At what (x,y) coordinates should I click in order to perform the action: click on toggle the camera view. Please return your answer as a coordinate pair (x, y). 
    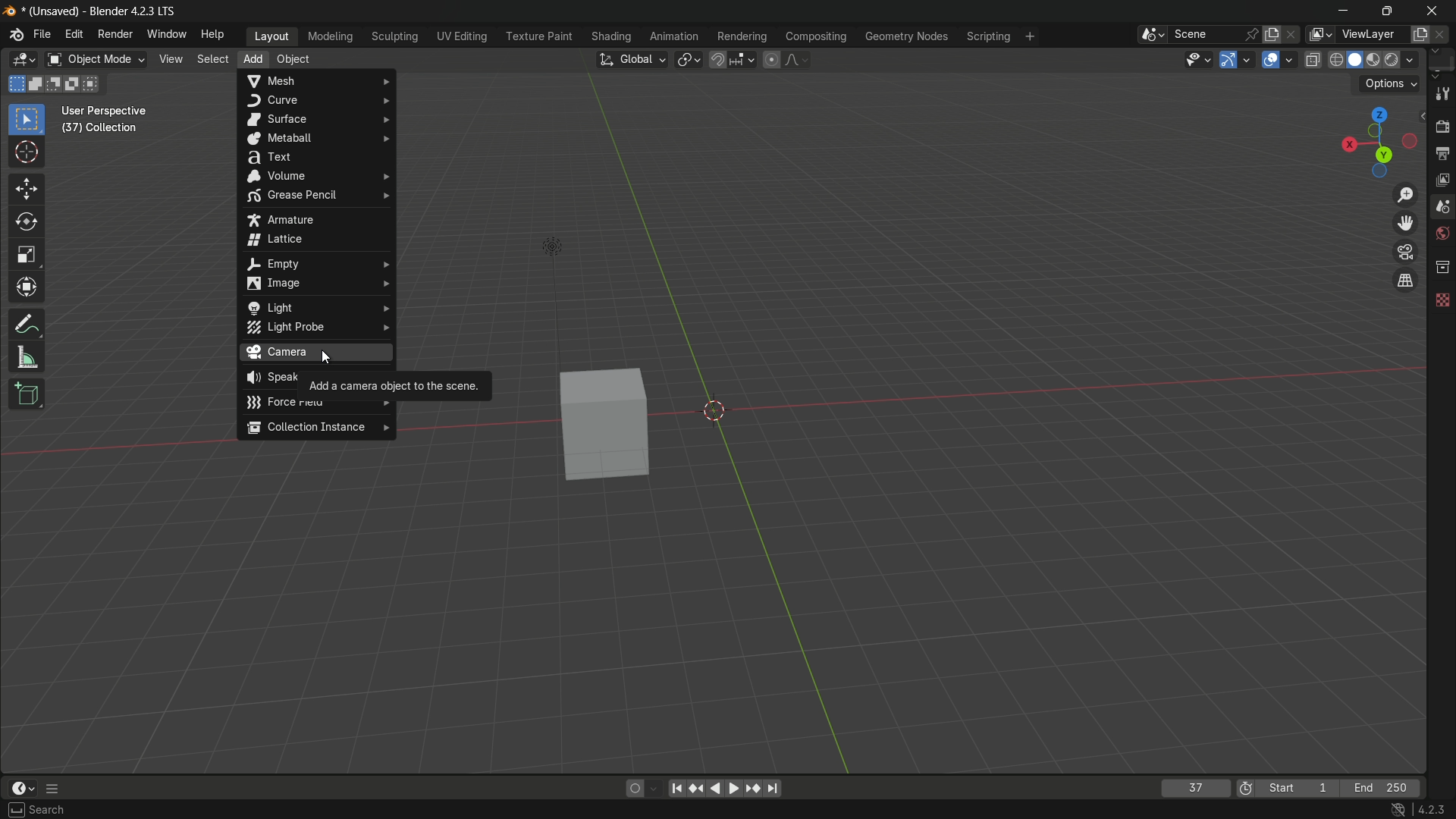
    Looking at the image, I should click on (1405, 251).